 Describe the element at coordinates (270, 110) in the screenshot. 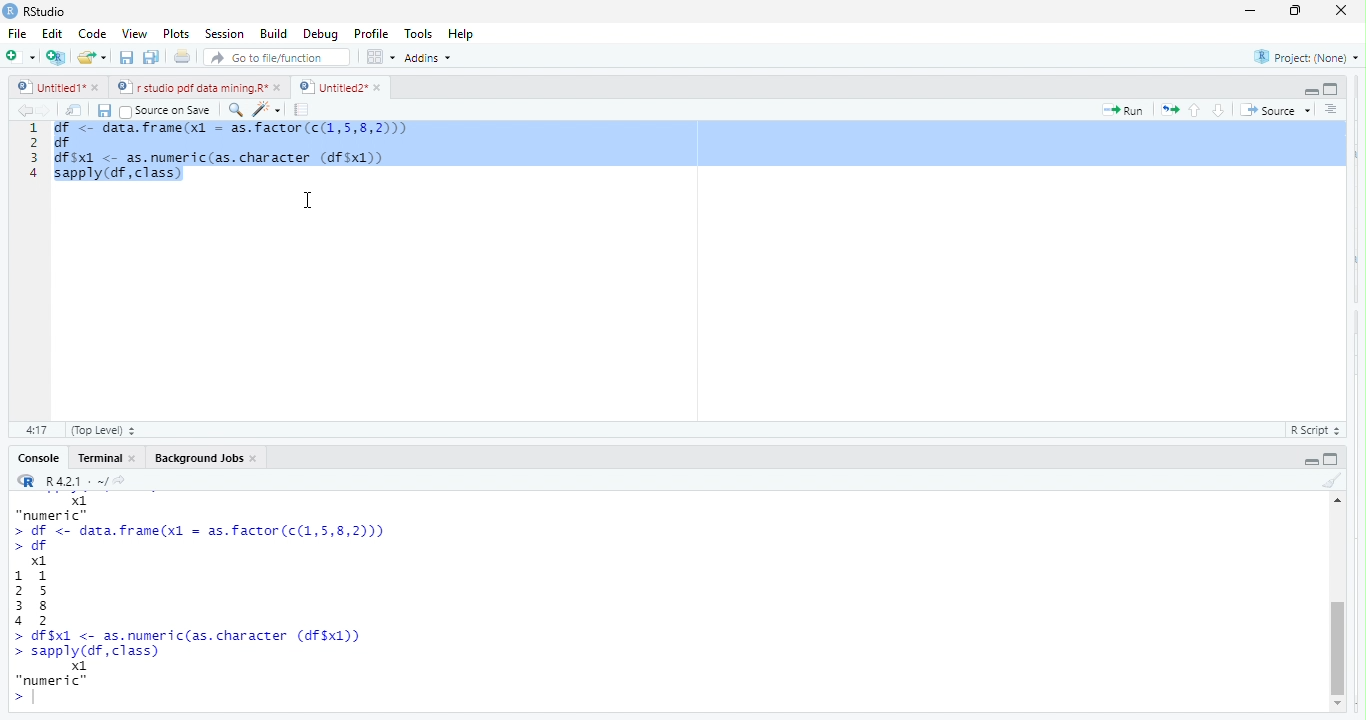

I see `code tools` at that location.